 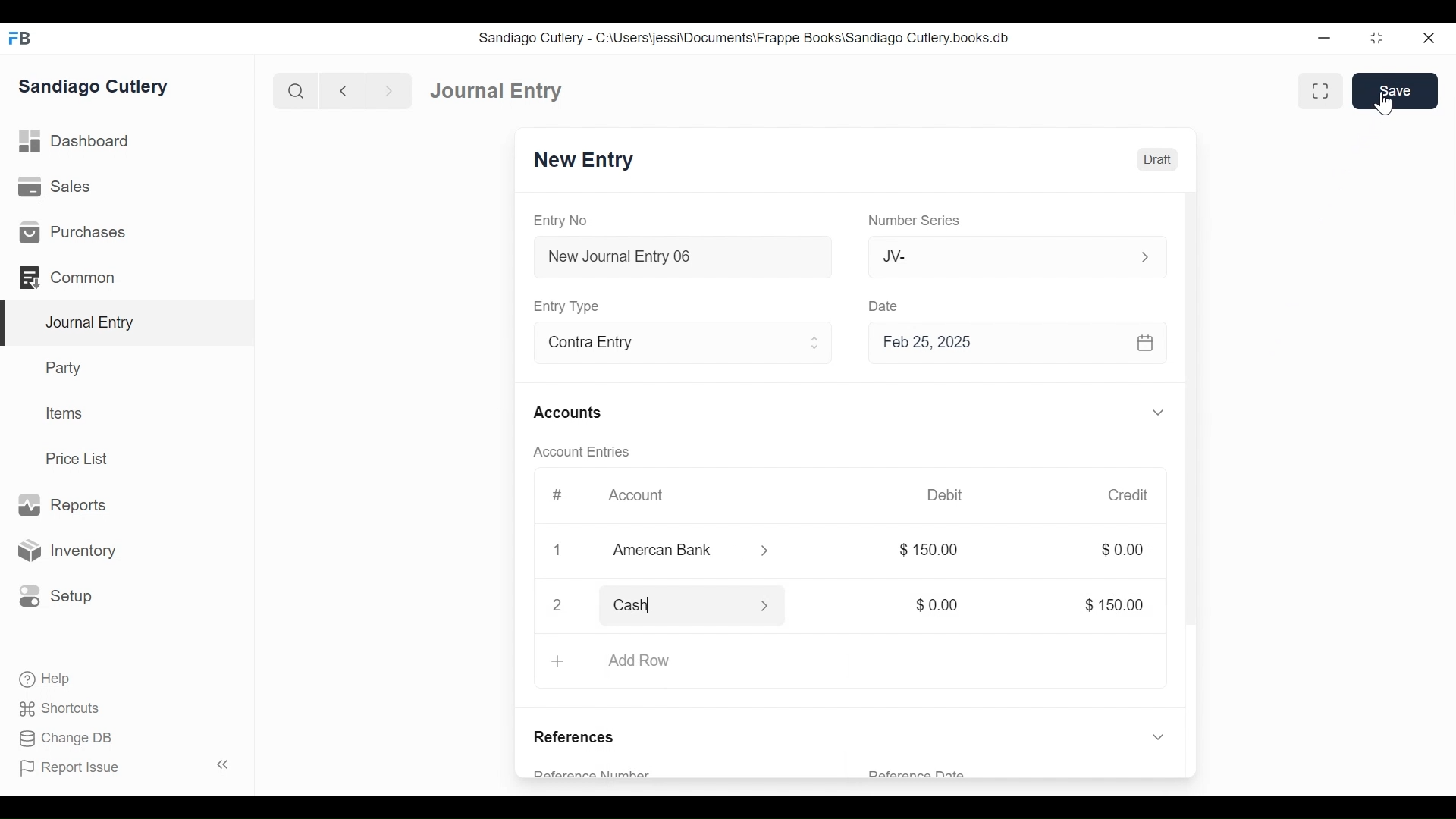 What do you see at coordinates (555, 550) in the screenshot?
I see `1` at bounding box center [555, 550].